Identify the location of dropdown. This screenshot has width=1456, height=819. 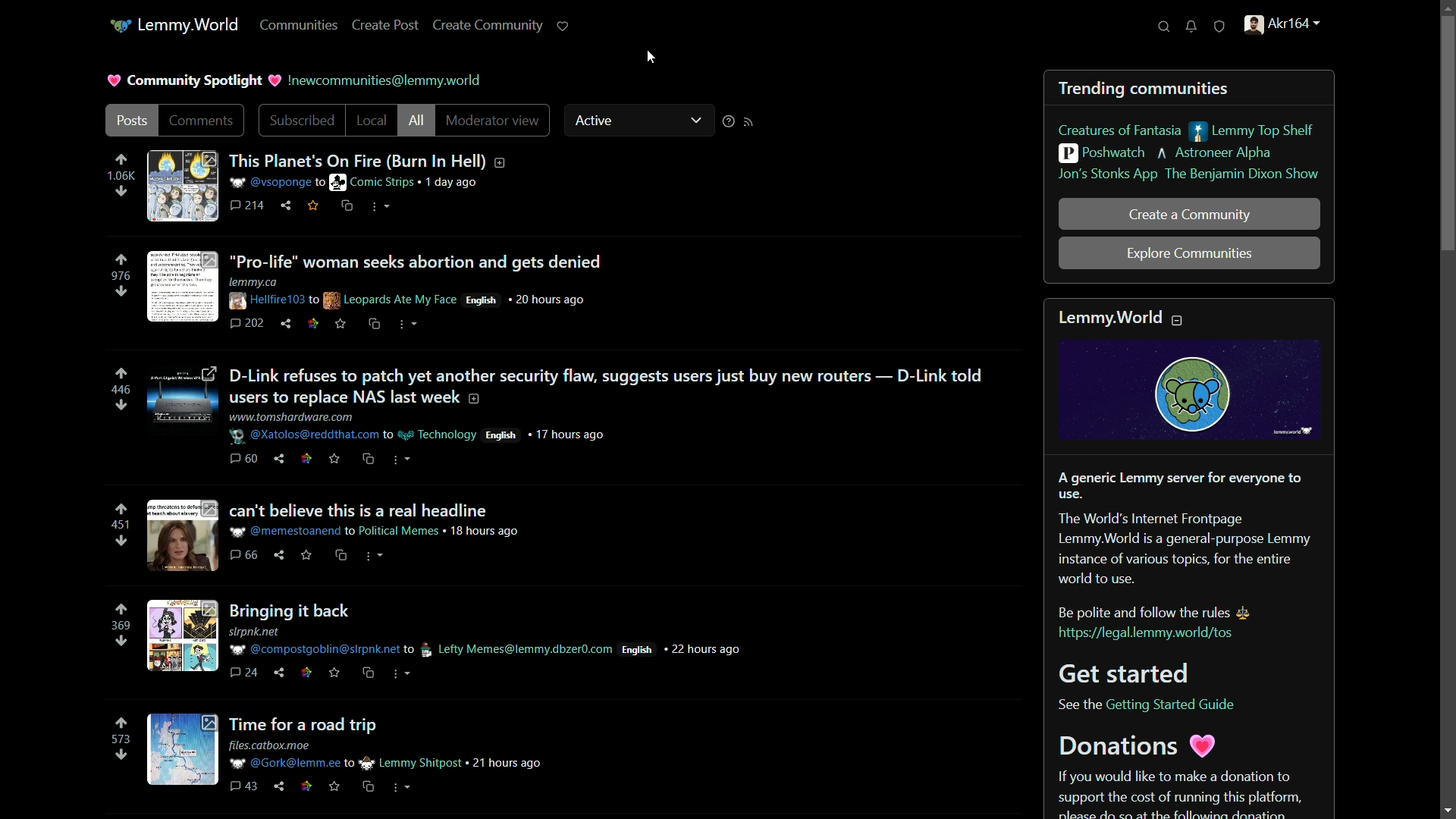
(695, 118).